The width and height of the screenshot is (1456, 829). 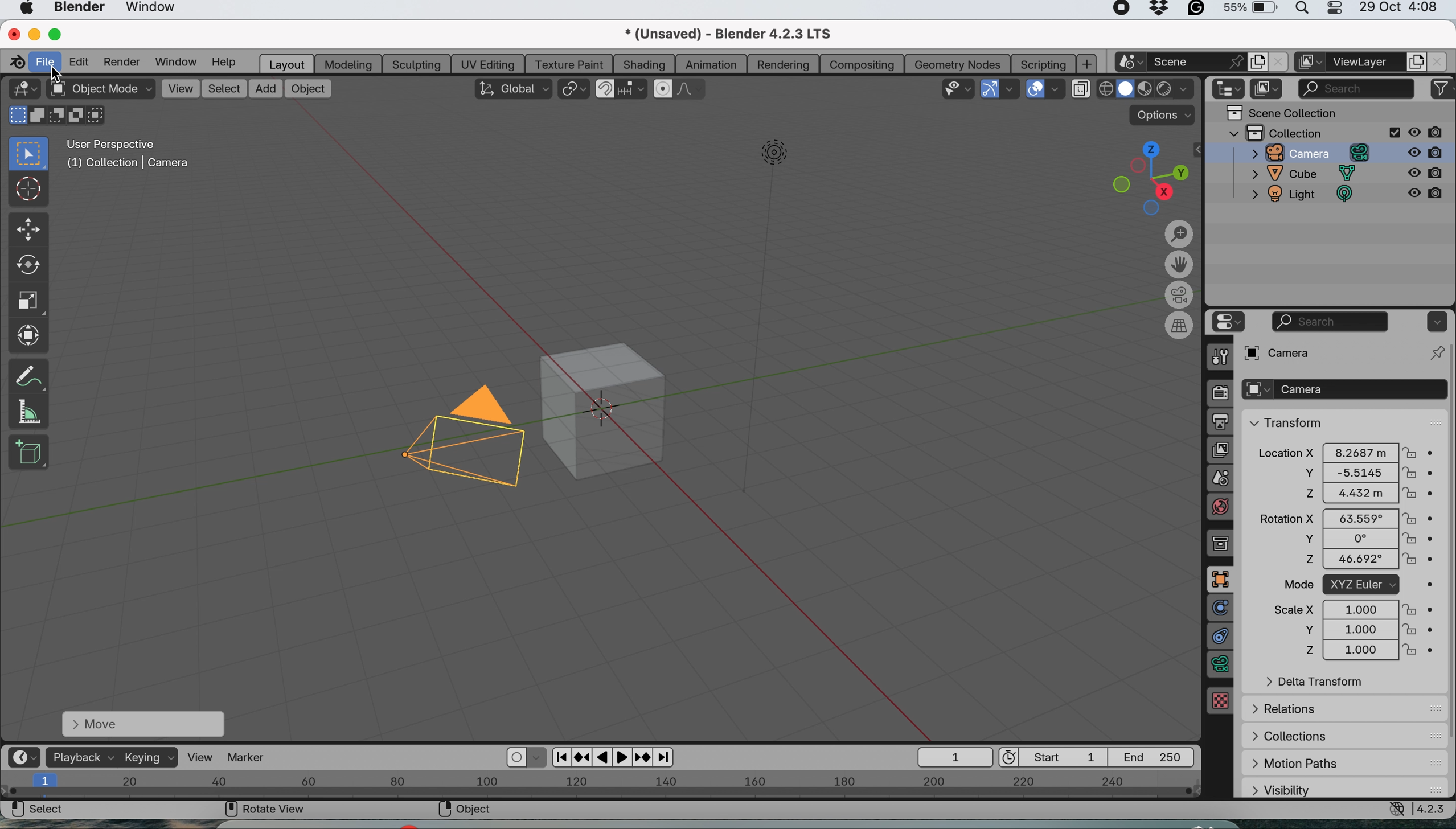 What do you see at coordinates (633, 89) in the screenshot?
I see `snapping` at bounding box center [633, 89].